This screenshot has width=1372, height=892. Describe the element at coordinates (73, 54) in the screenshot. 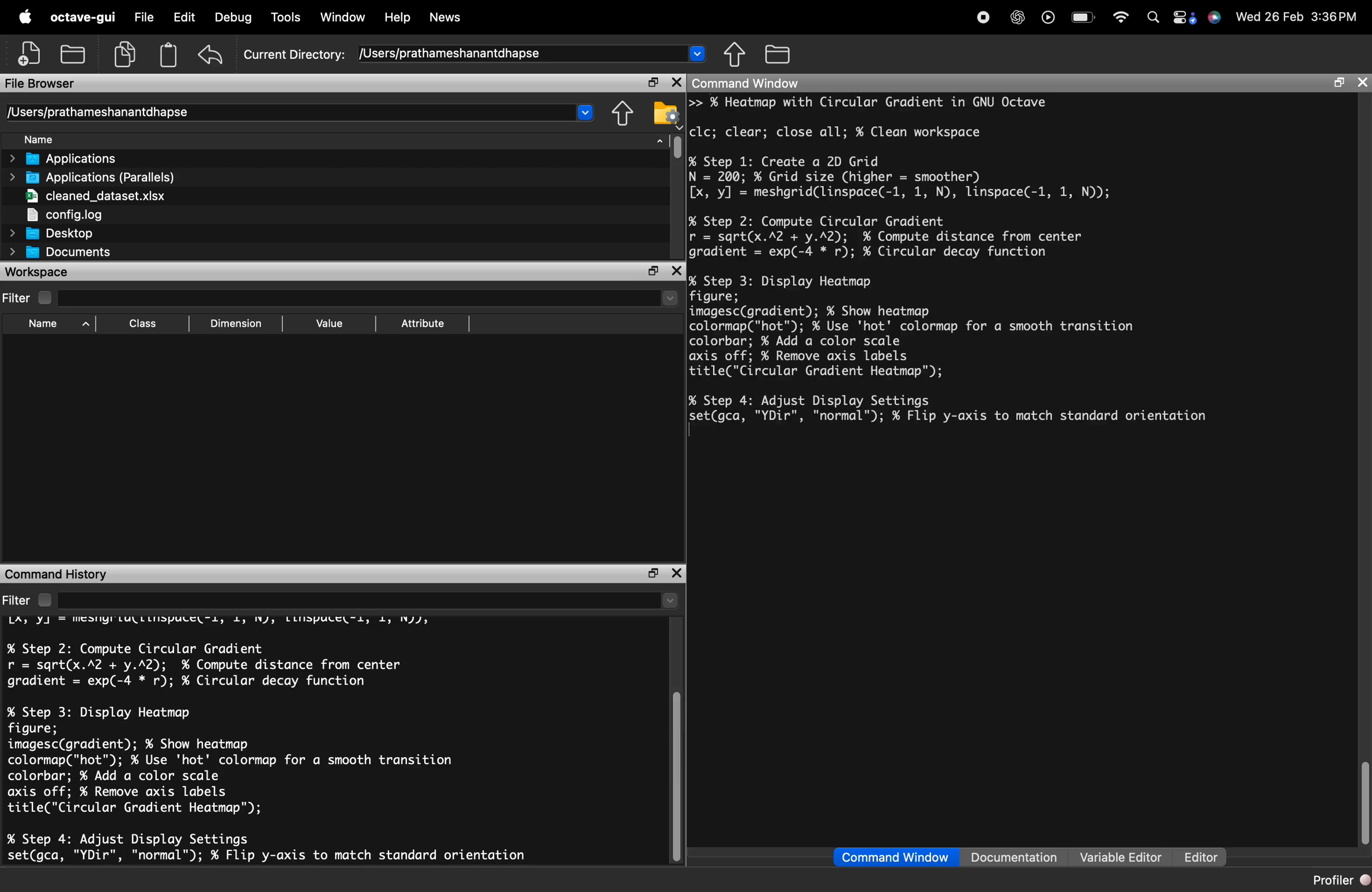

I see `open an existing file in an editor` at that location.